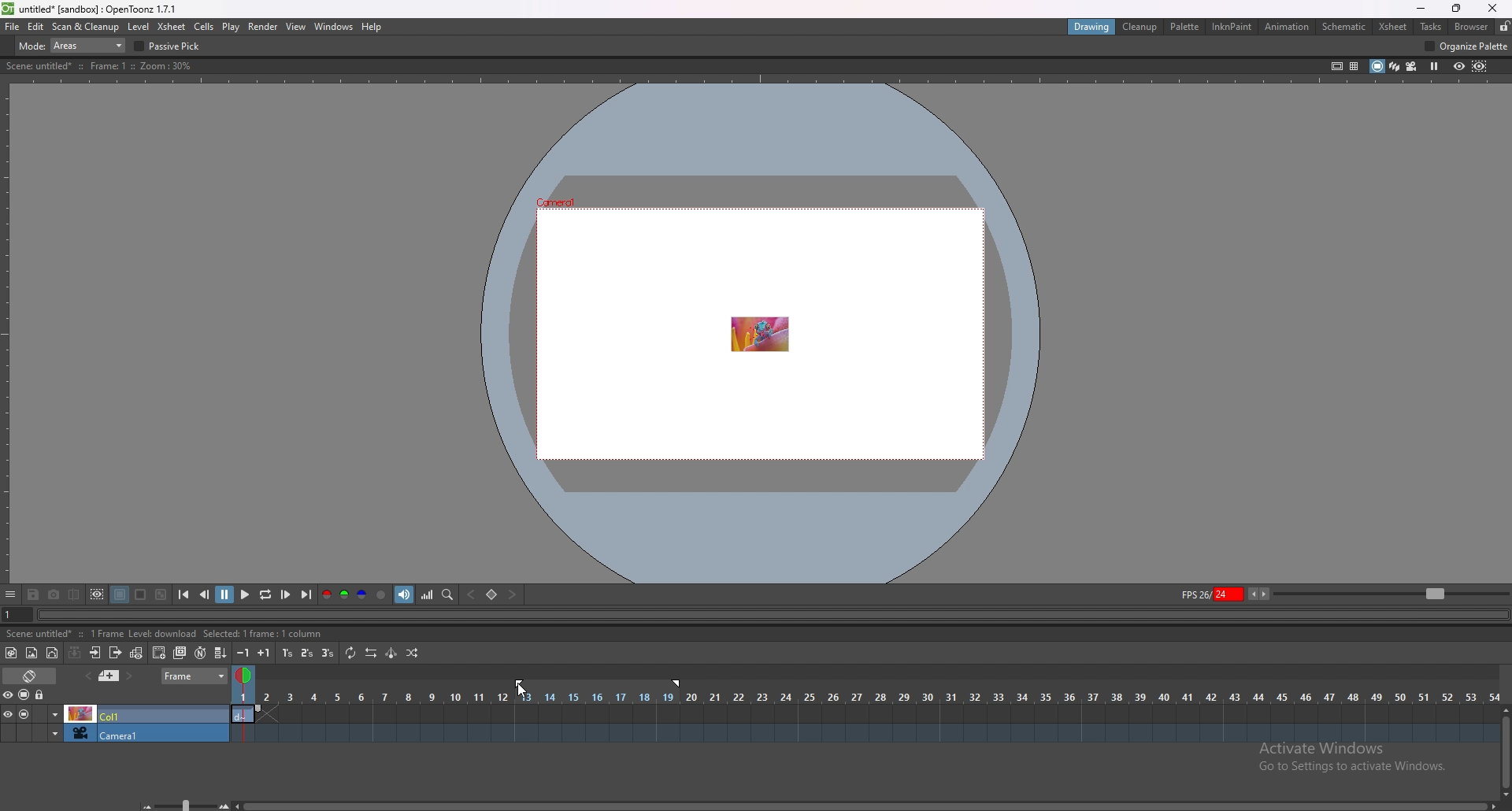 This screenshot has width=1512, height=811. I want to click on loop, so click(266, 594).